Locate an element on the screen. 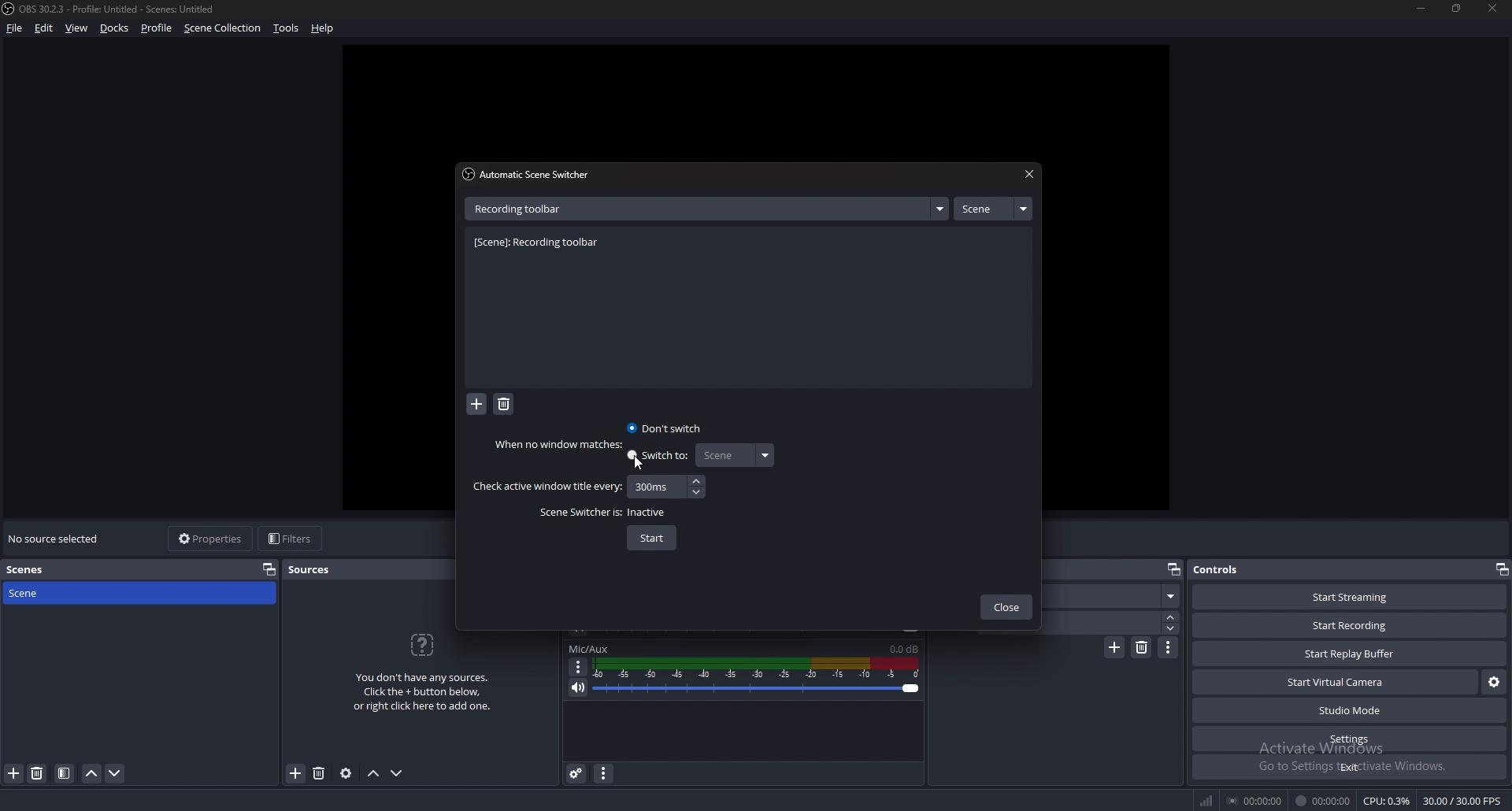 This screenshot has width=1512, height=811. recording duration is located at coordinates (1324, 801).